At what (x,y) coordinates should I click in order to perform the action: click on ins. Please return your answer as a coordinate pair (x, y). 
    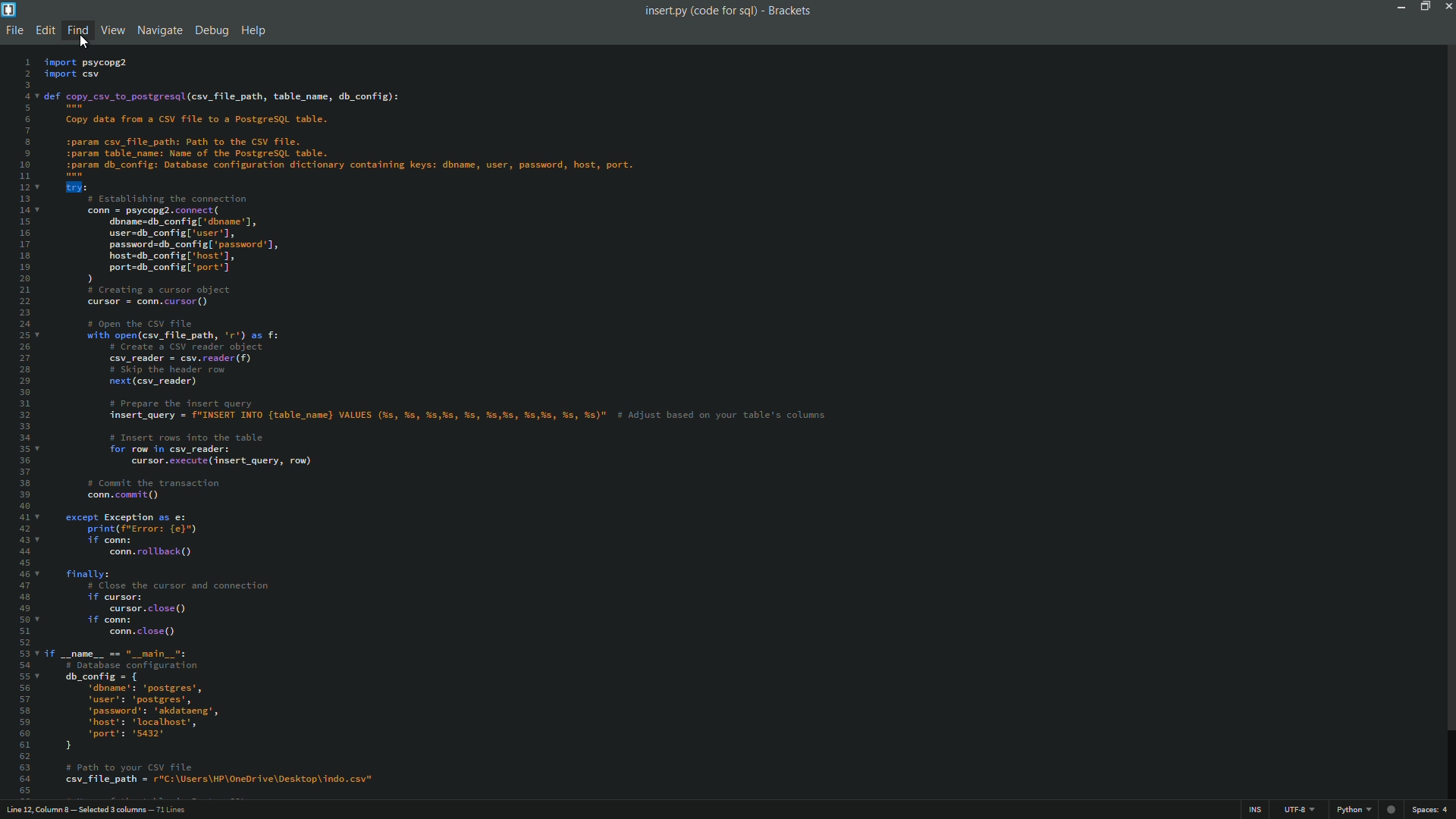
    Looking at the image, I should click on (1258, 812).